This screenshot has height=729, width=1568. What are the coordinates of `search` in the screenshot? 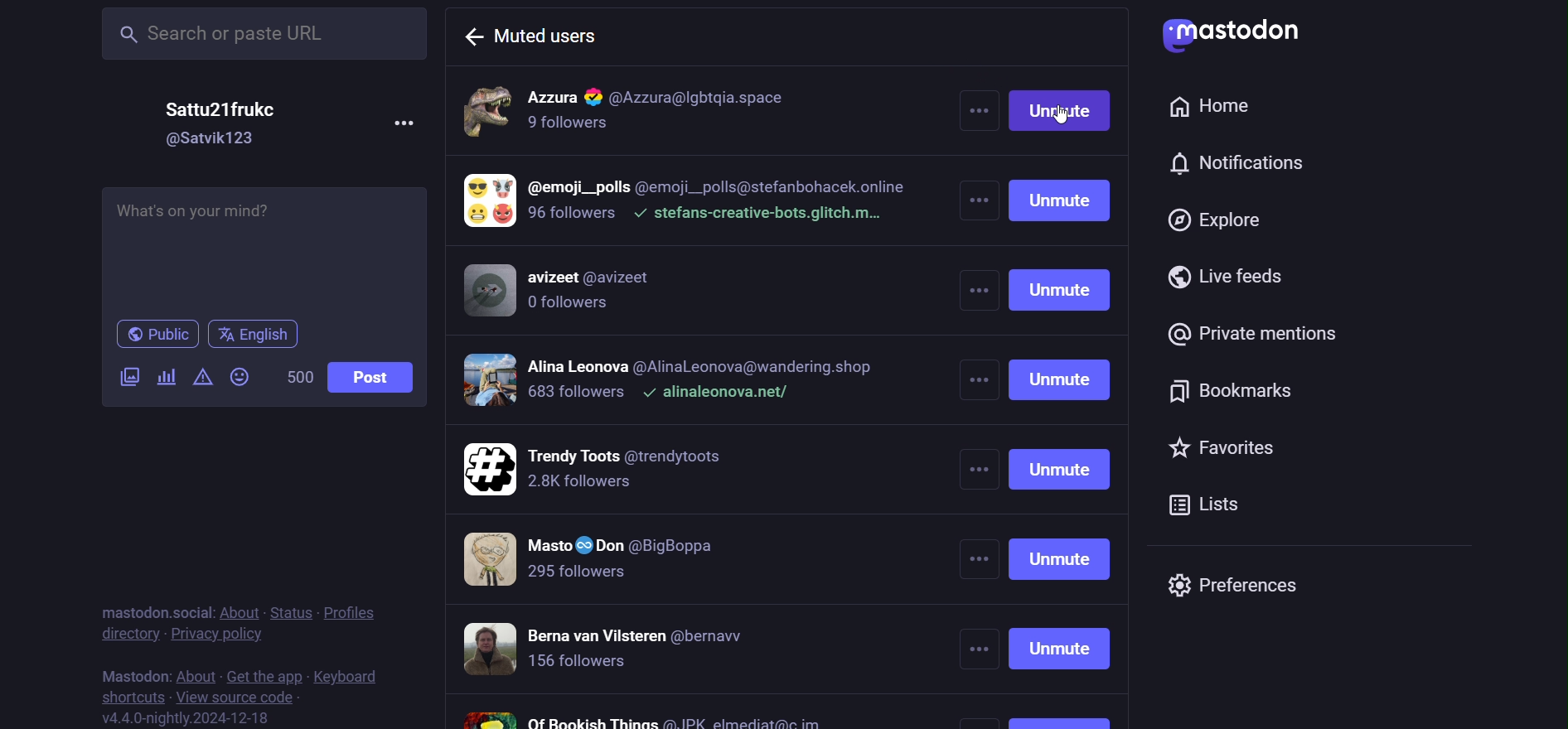 It's located at (259, 33).